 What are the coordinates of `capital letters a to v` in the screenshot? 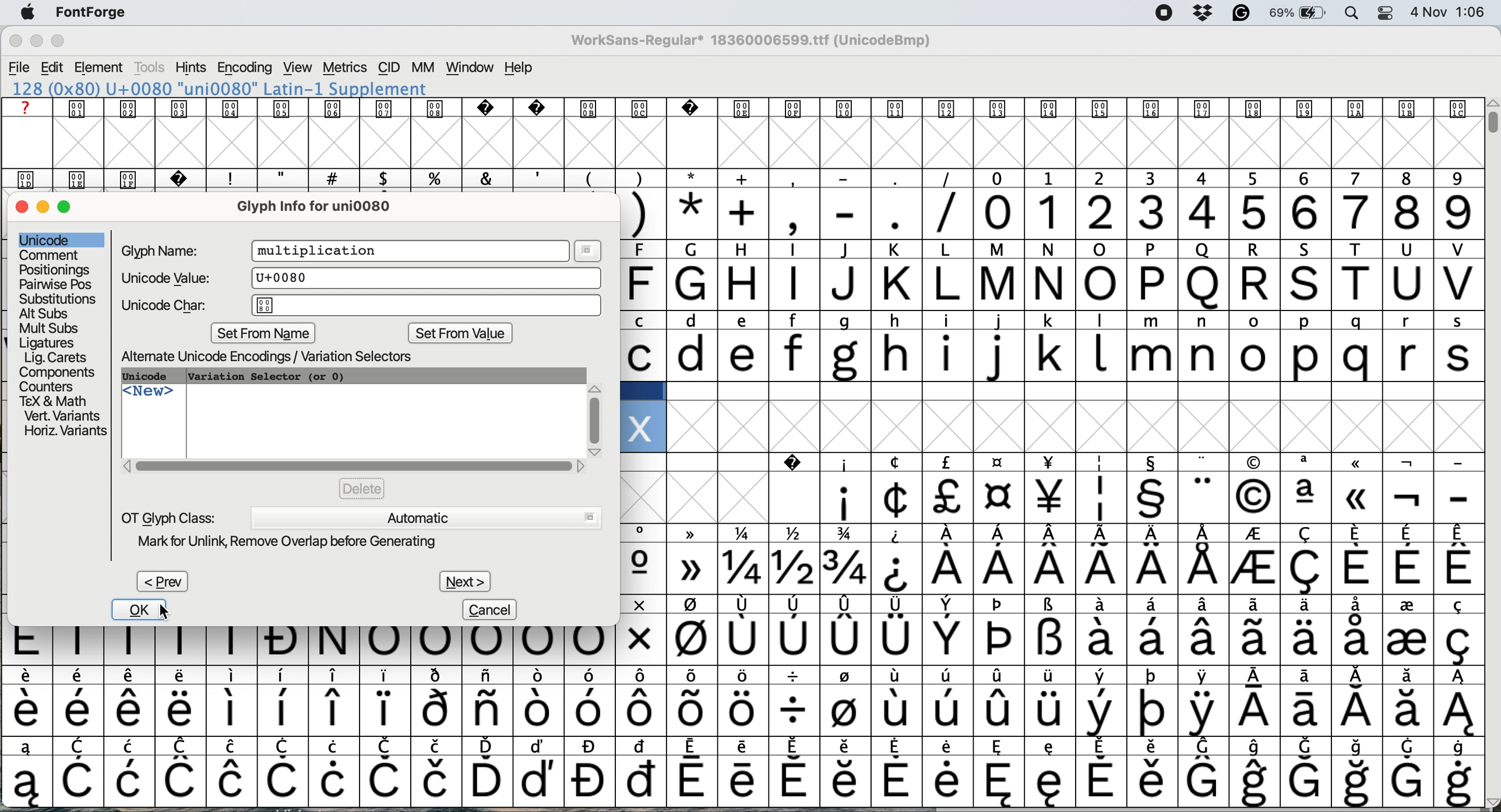 It's located at (1041, 288).